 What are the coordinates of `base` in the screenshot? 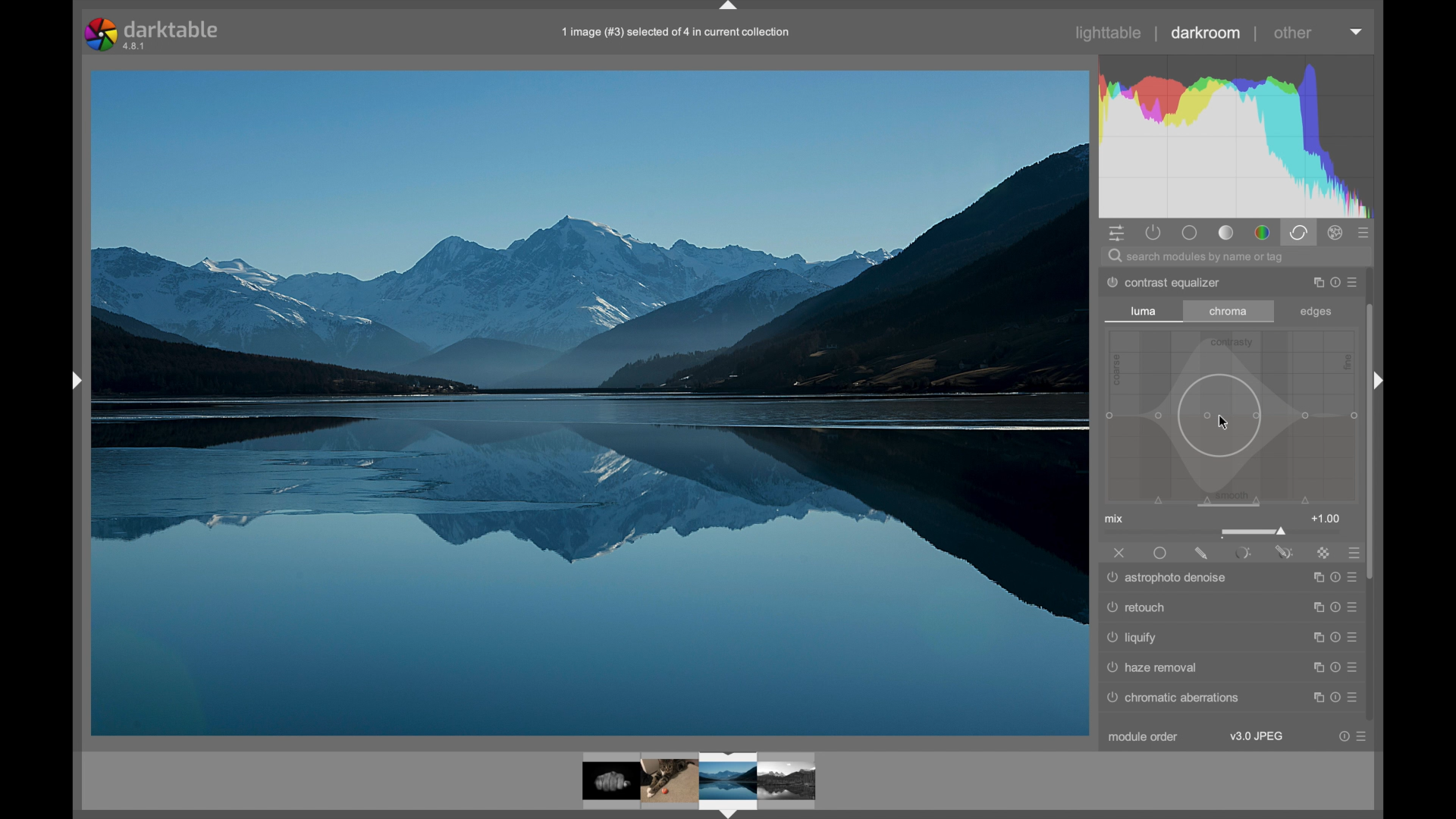 It's located at (1191, 233).